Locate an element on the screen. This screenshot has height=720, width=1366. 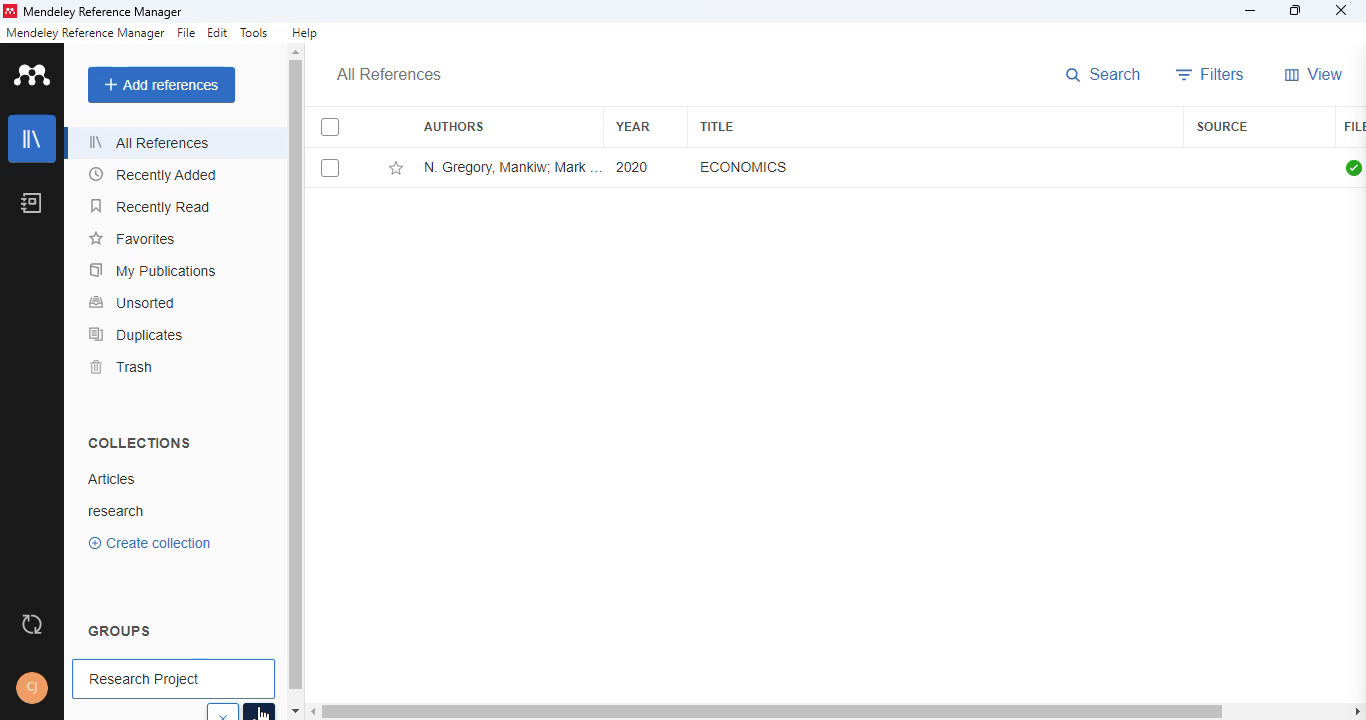
minimize is located at coordinates (1251, 11).